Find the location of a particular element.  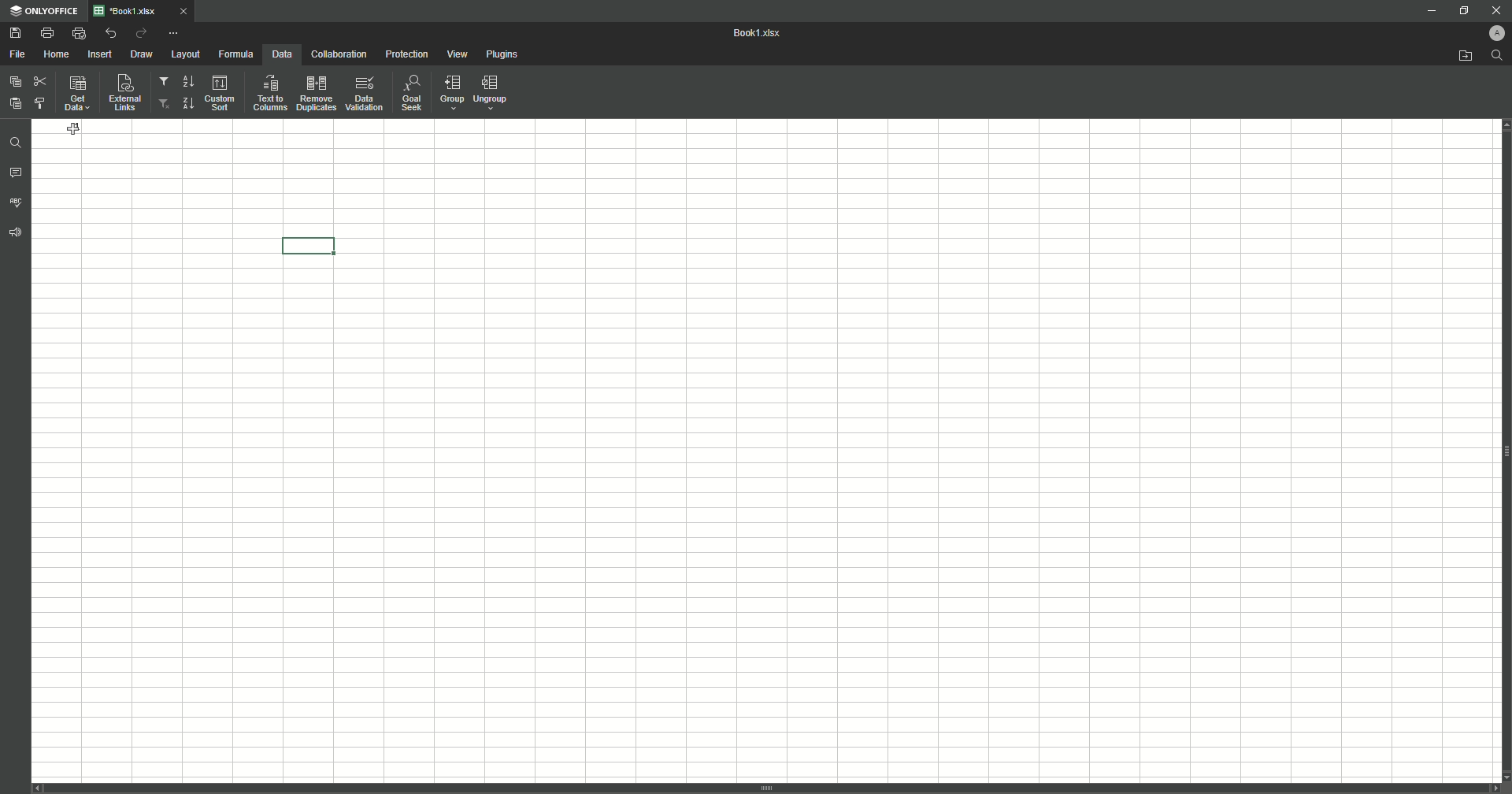

Restore is located at coordinates (1462, 10).